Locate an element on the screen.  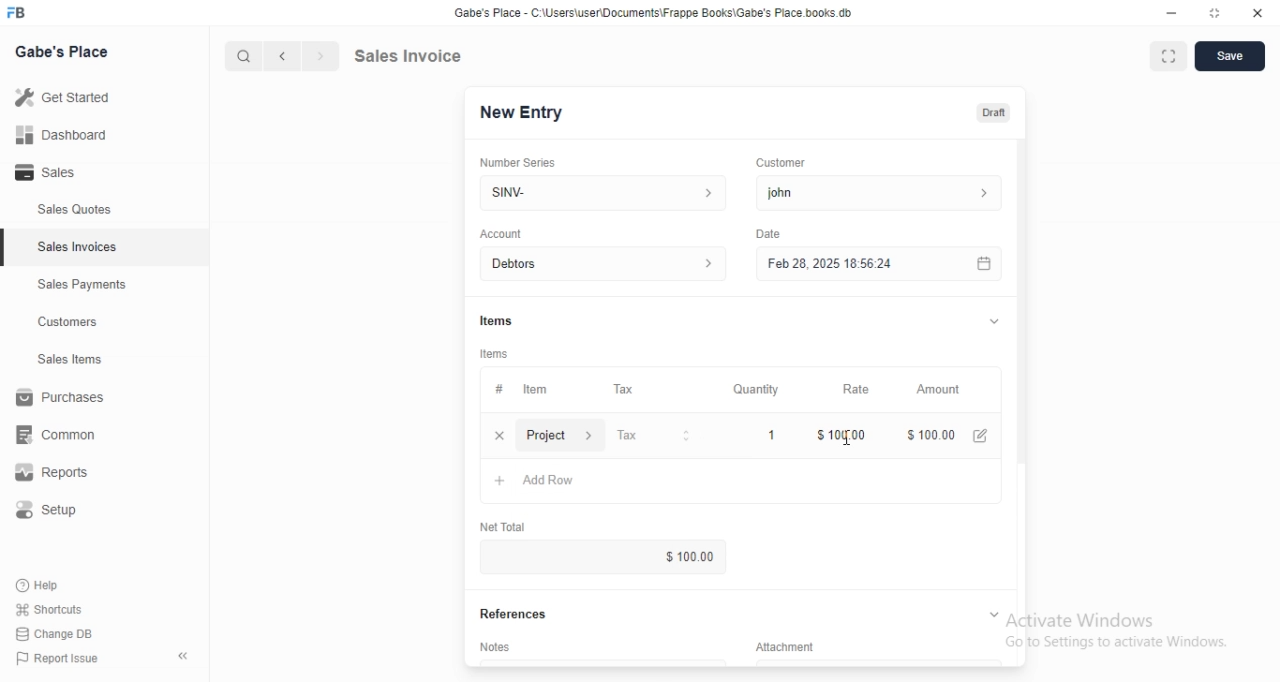
Account is located at coordinates (607, 264).